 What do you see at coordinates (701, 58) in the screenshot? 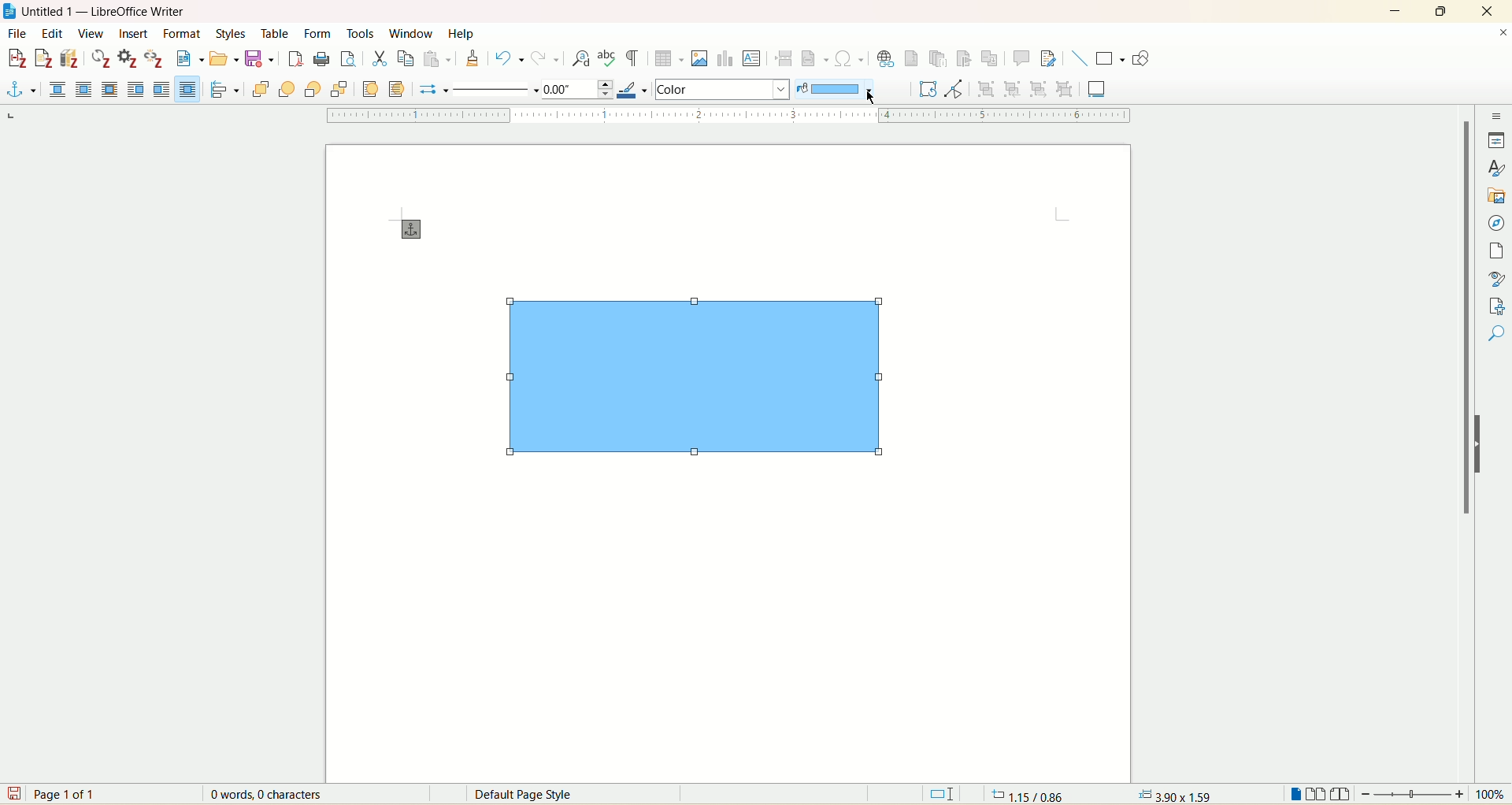
I see `insert images` at bounding box center [701, 58].